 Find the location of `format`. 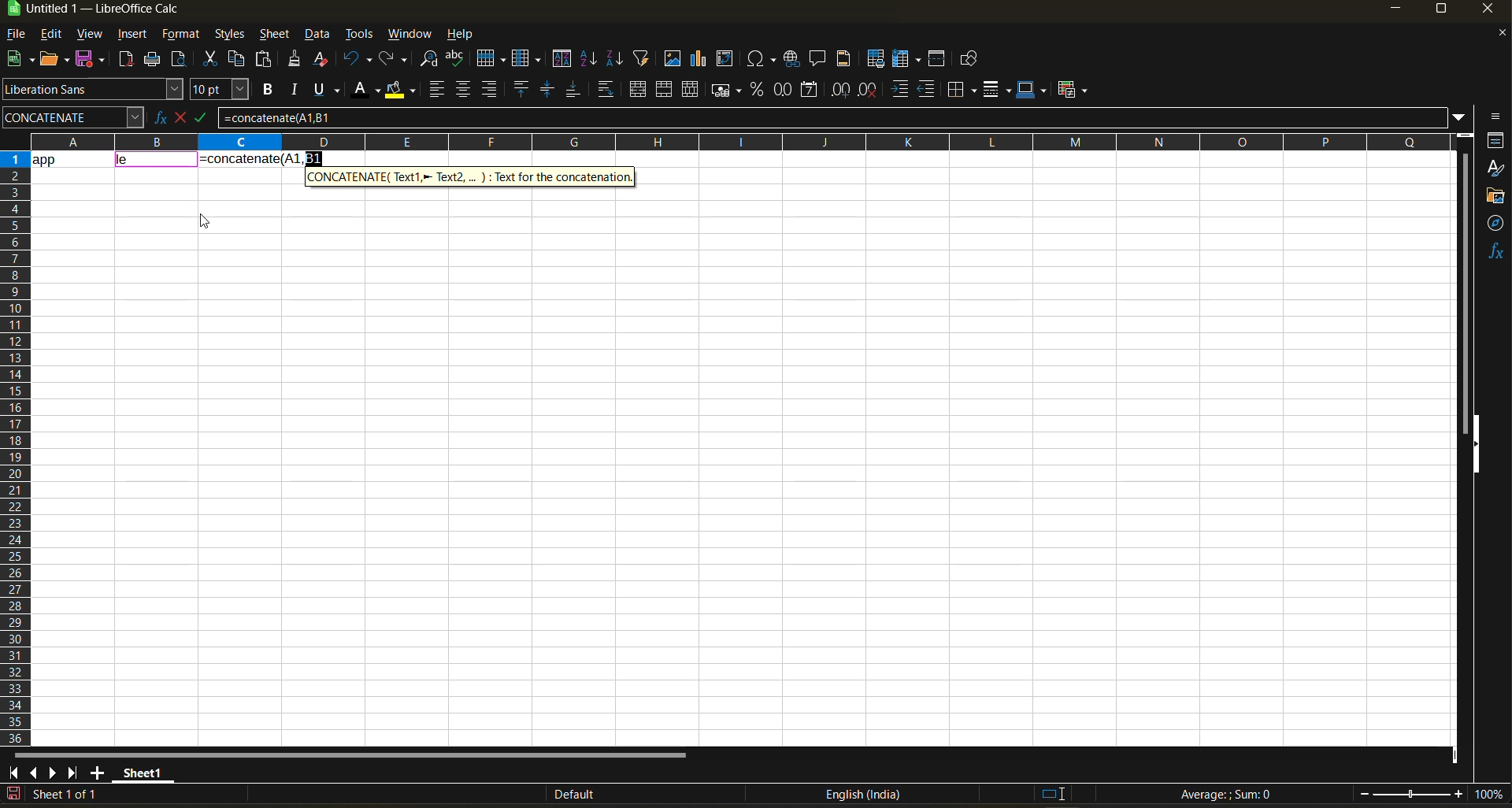

format is located at coordinates (182, 36).